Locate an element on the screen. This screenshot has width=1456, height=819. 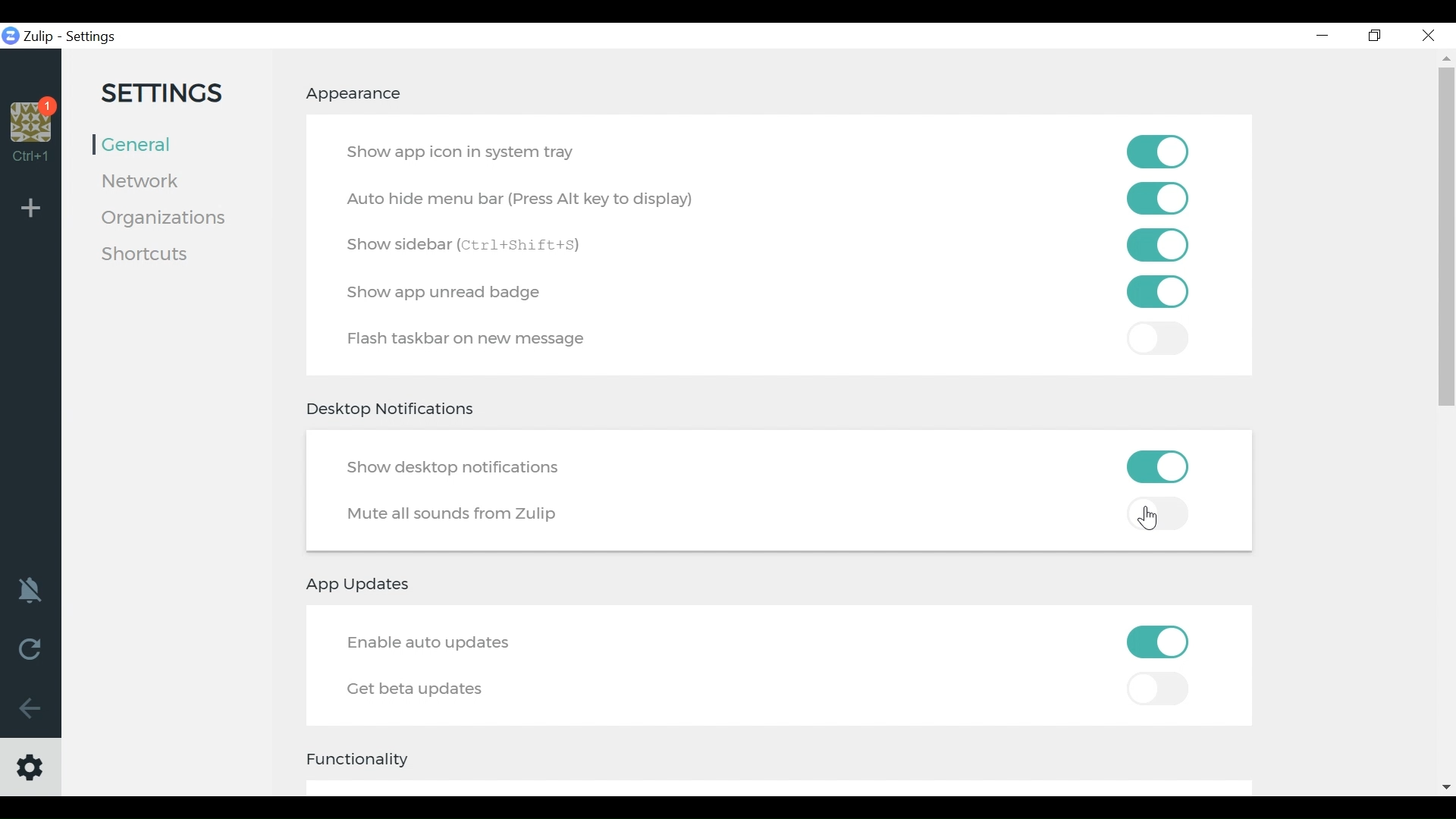
Toggle on /off Flash taskbar on a new message is located at coordinates (1156, 292).